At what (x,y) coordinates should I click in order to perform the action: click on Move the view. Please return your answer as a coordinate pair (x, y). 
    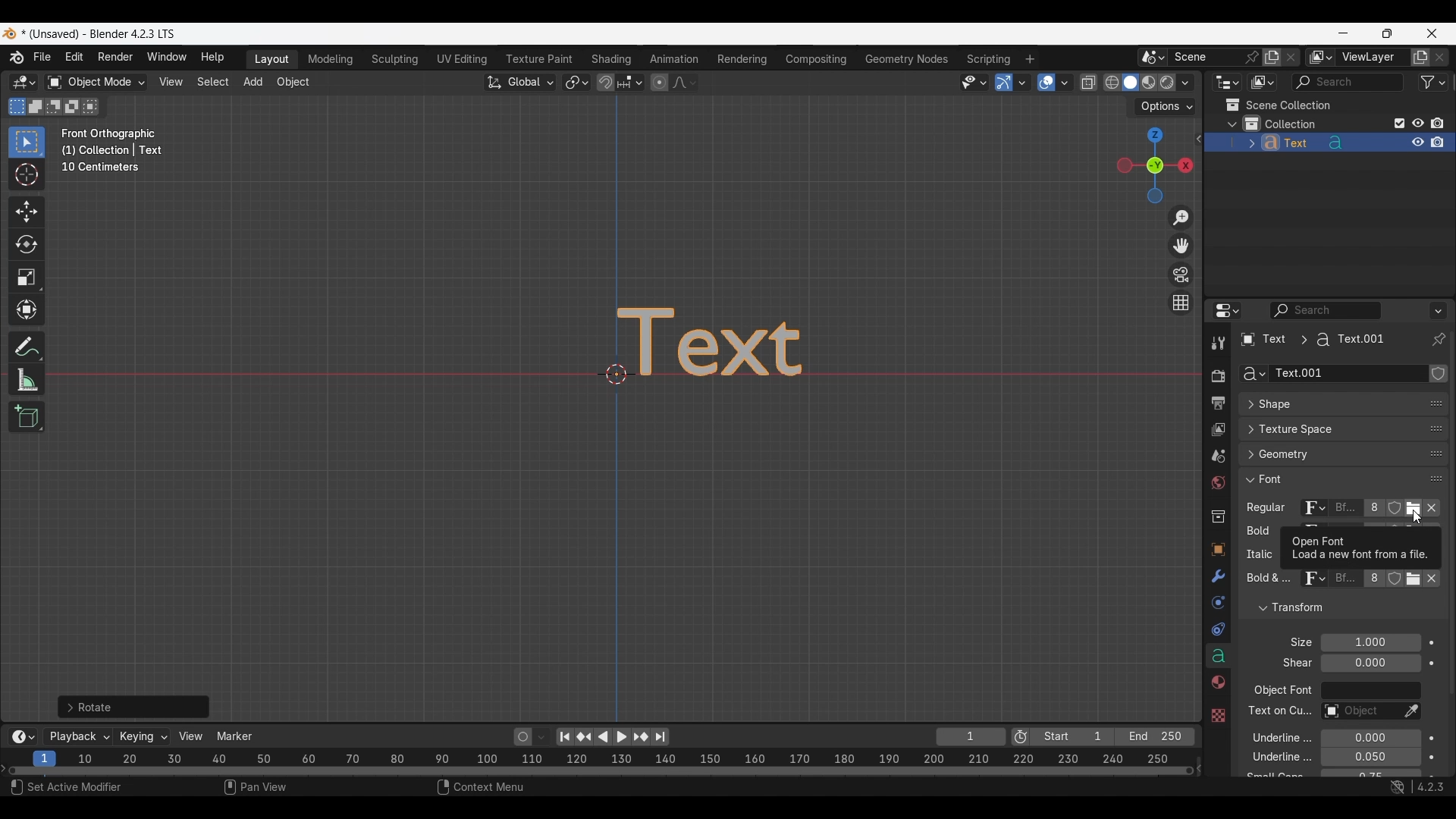
    Looking at the image, I should click on (1182, 246).